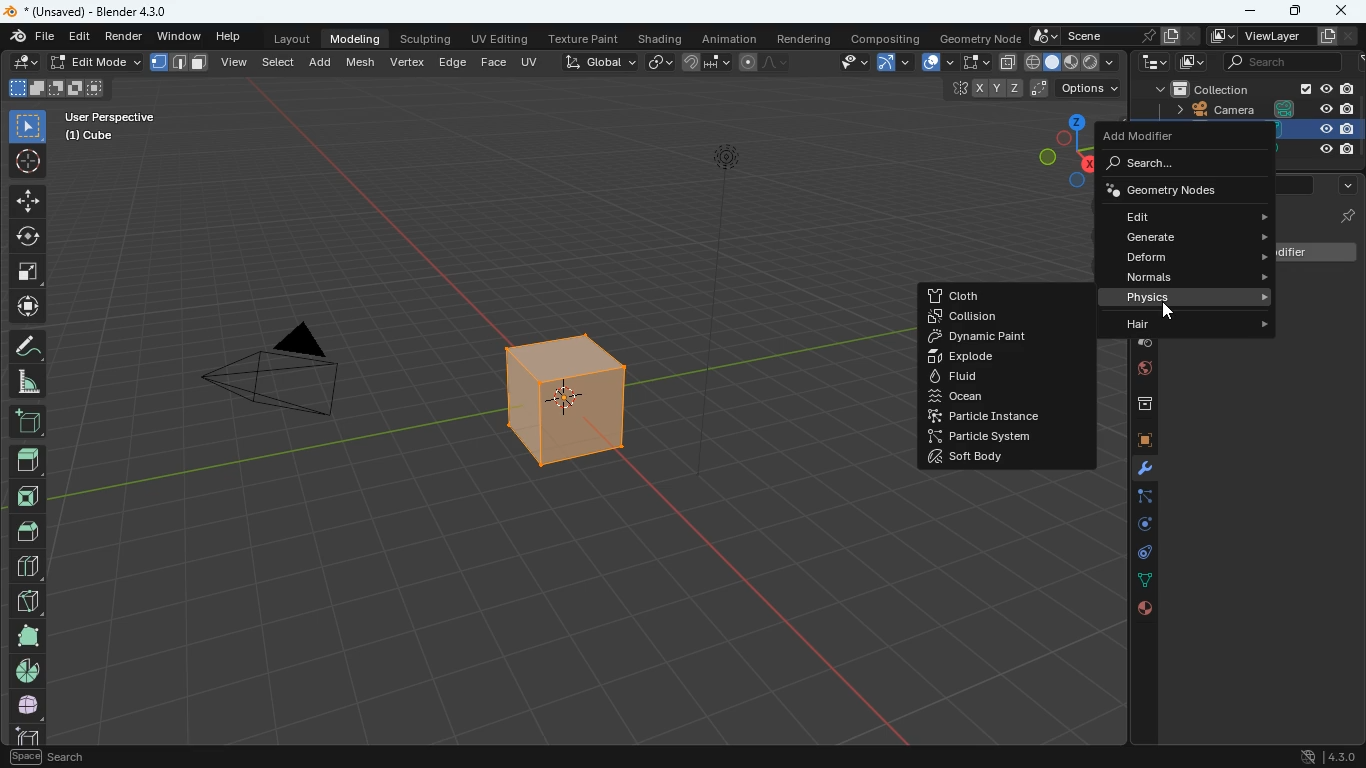  Describe the element at coordinates (1135, 471) in the screenshot. I see `tools` at that location.